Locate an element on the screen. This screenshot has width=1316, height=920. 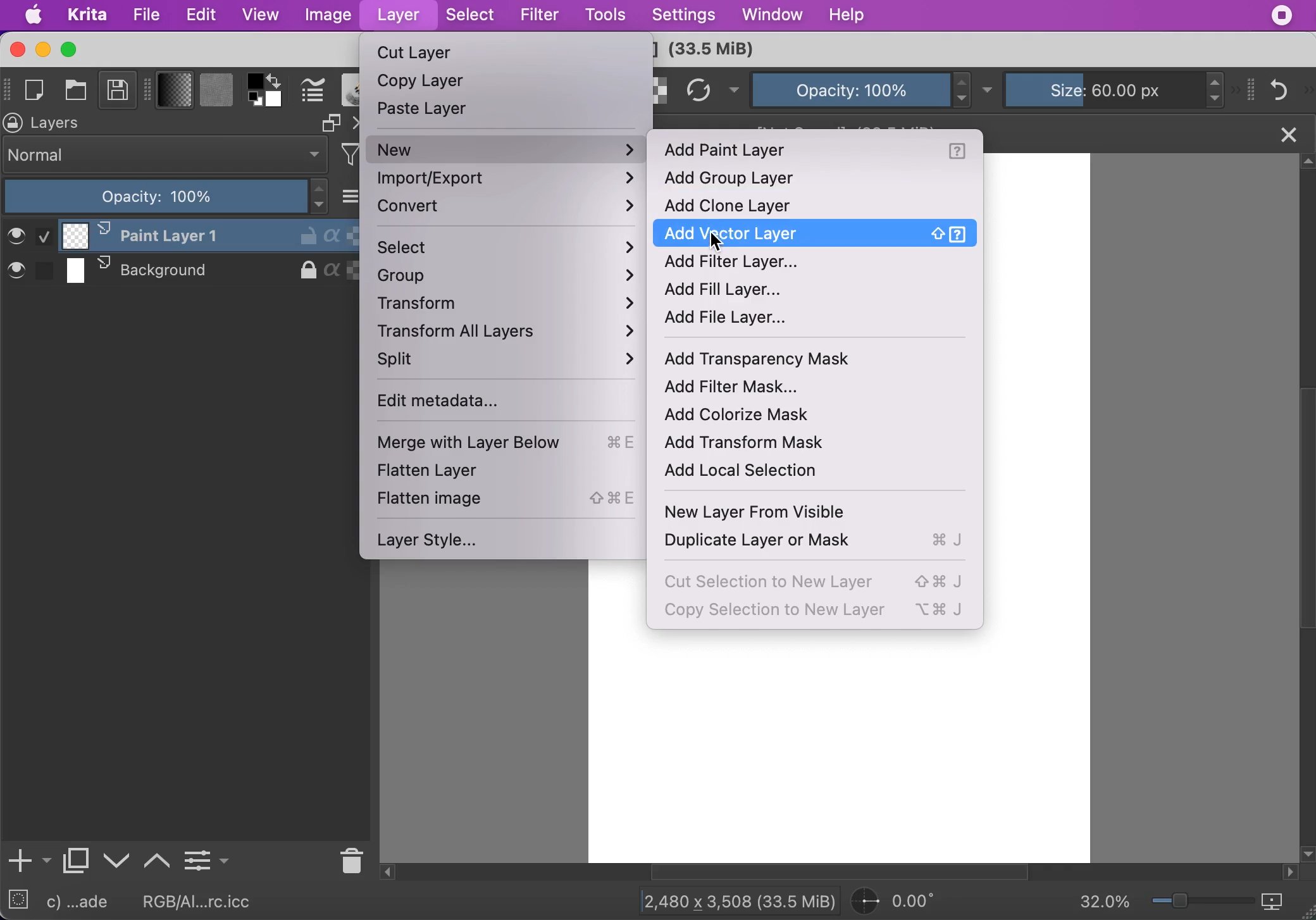
window is located at coordinates (771, 16).